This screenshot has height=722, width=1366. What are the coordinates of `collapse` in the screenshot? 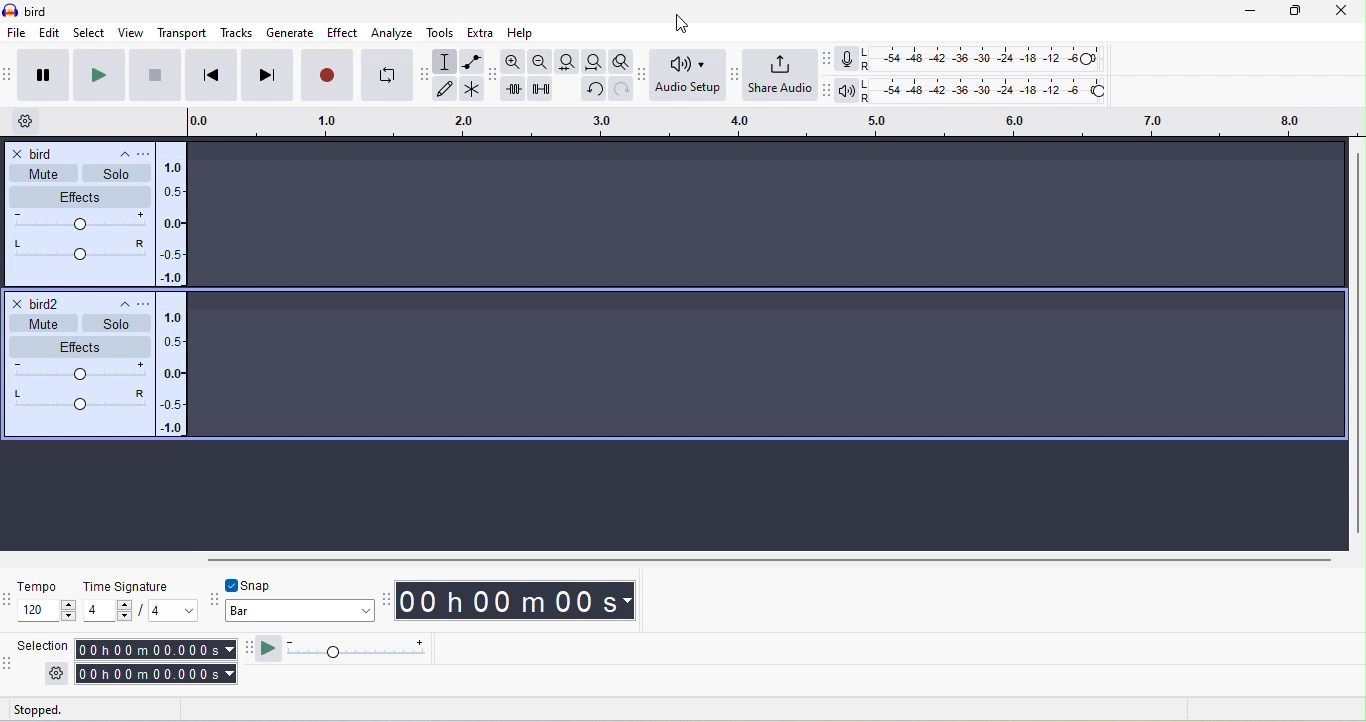 It's located at (112, 152).